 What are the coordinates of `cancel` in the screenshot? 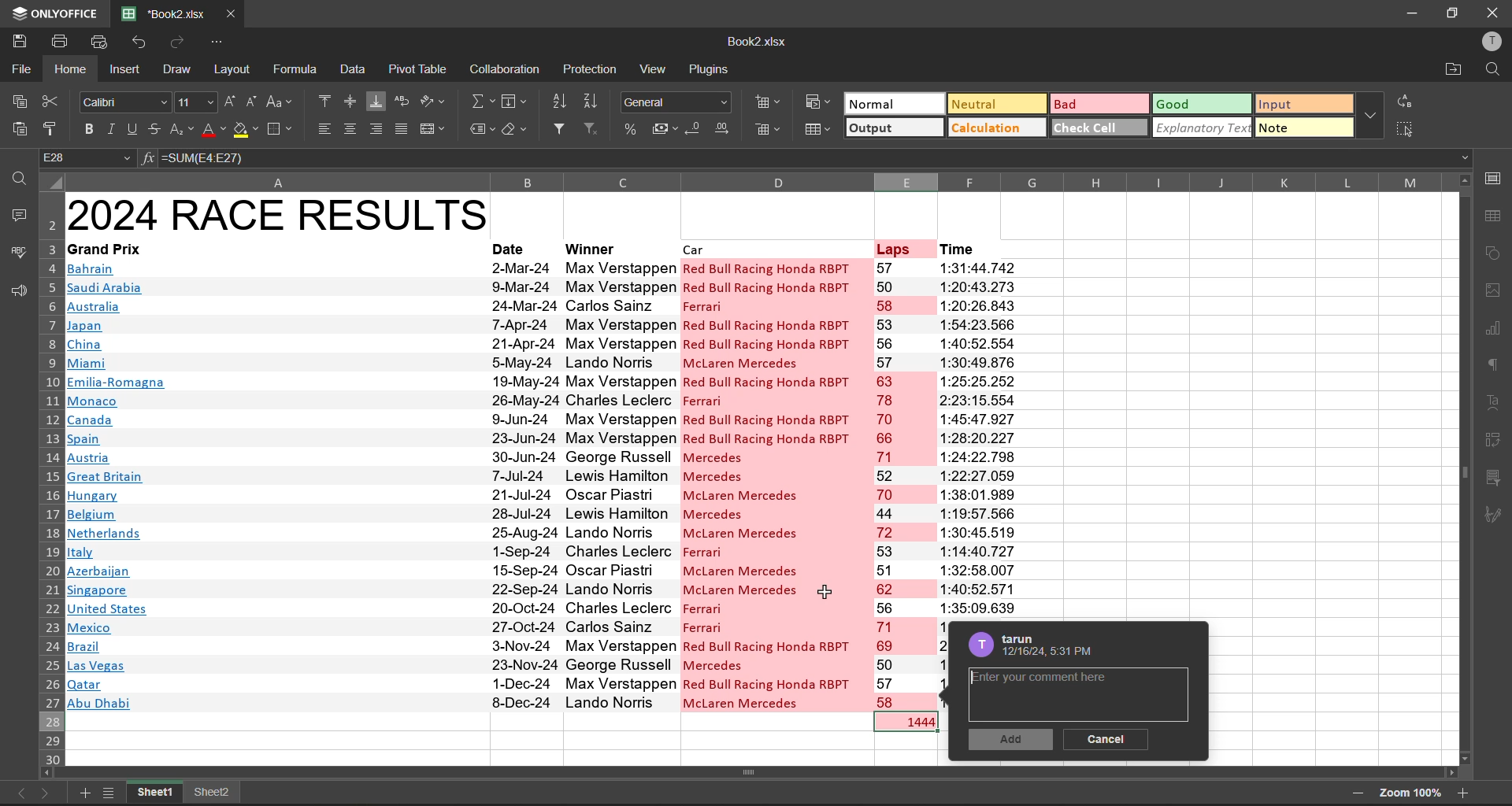 It's located at (1110, 738).